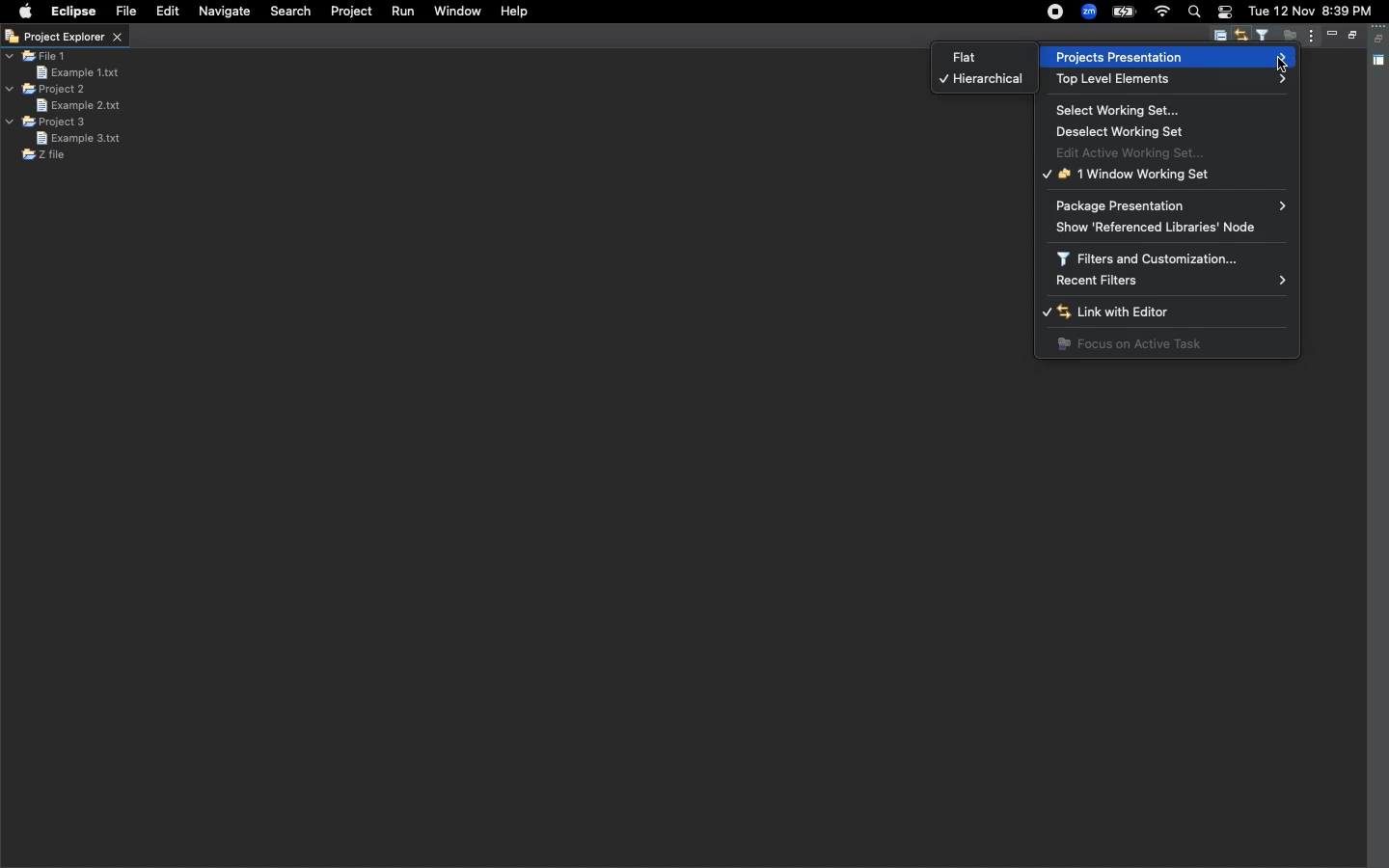 Image resolution: width=1389 pixels, height=868 pixels. I want to click on Recent filters, so click(1171, 281).